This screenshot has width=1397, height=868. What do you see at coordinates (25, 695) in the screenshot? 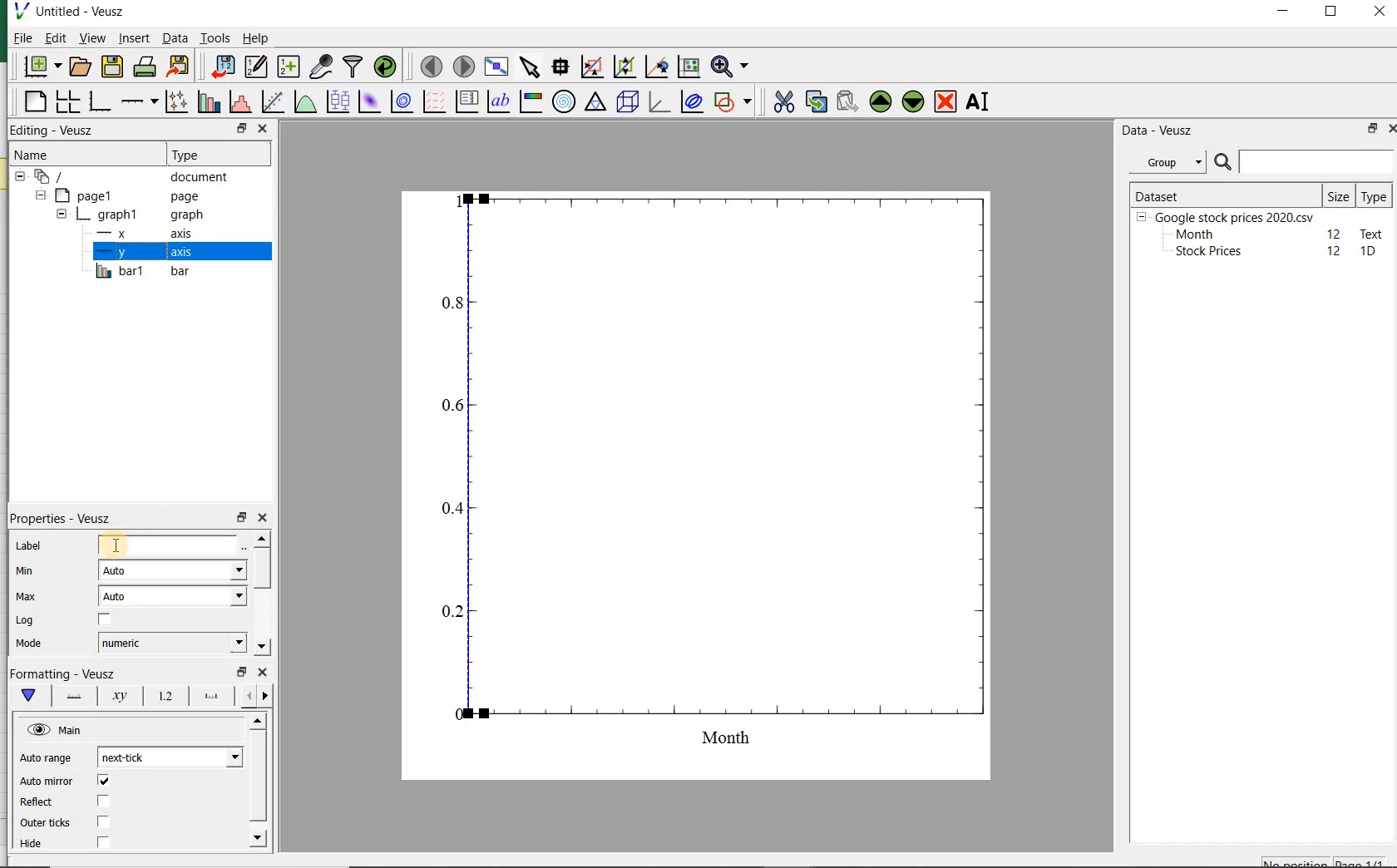
I see `main formatting` at bounding box center [25, 695].